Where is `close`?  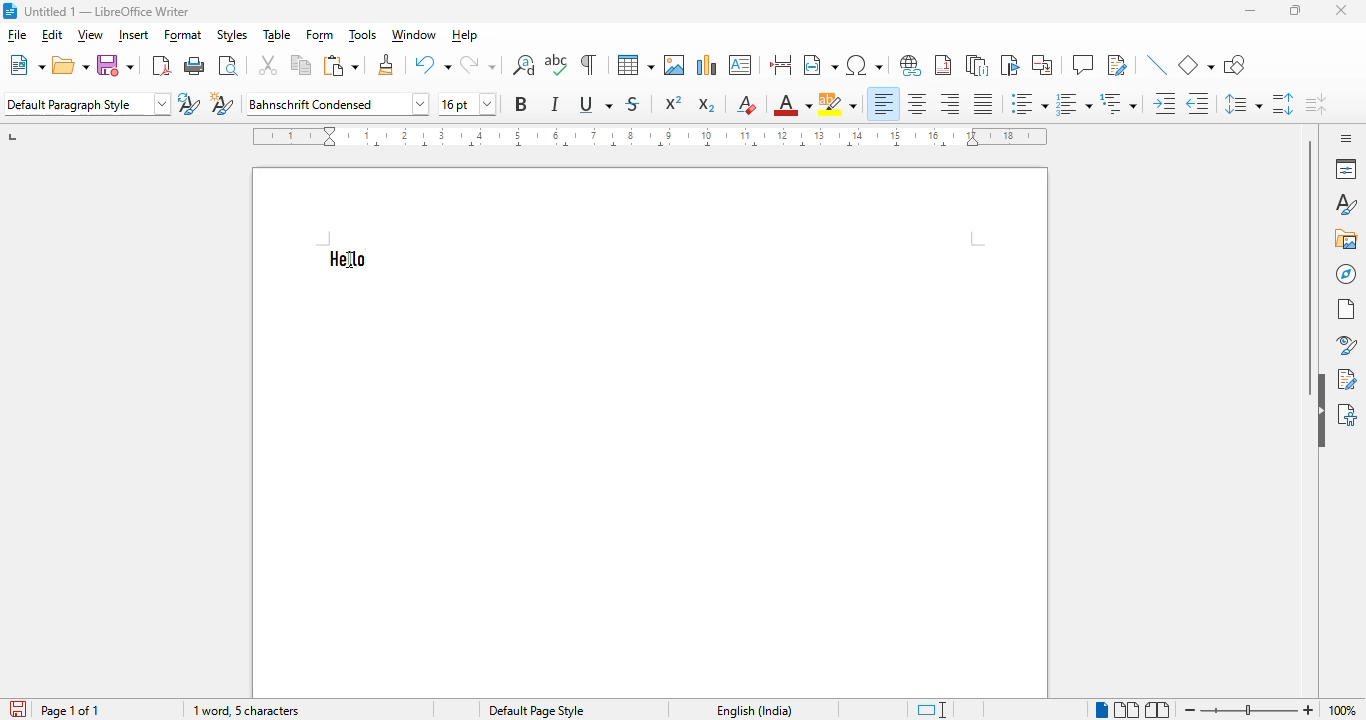
close is located at coordinates (1343, 10).